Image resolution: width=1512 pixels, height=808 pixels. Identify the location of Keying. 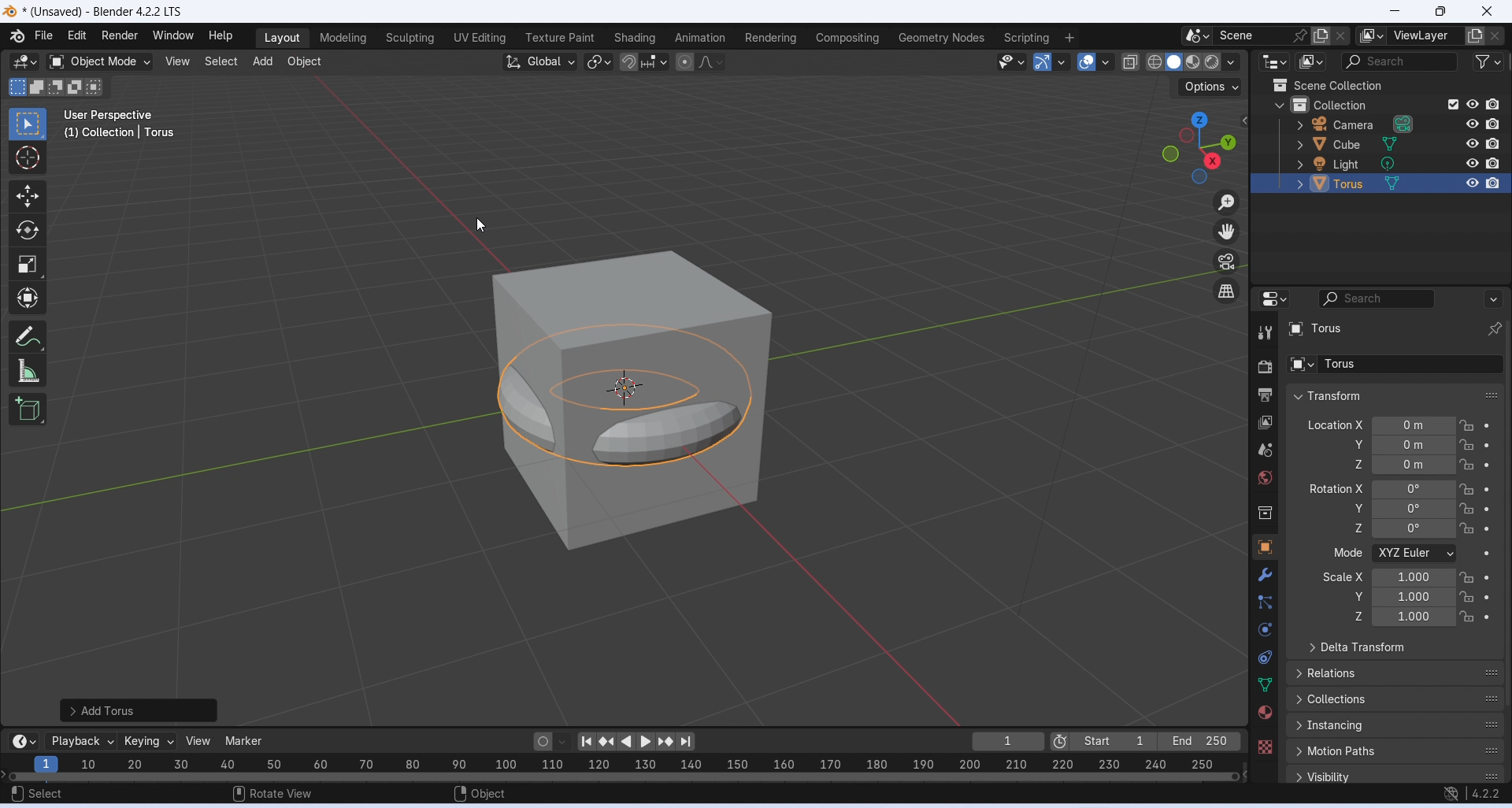
(146, 740).